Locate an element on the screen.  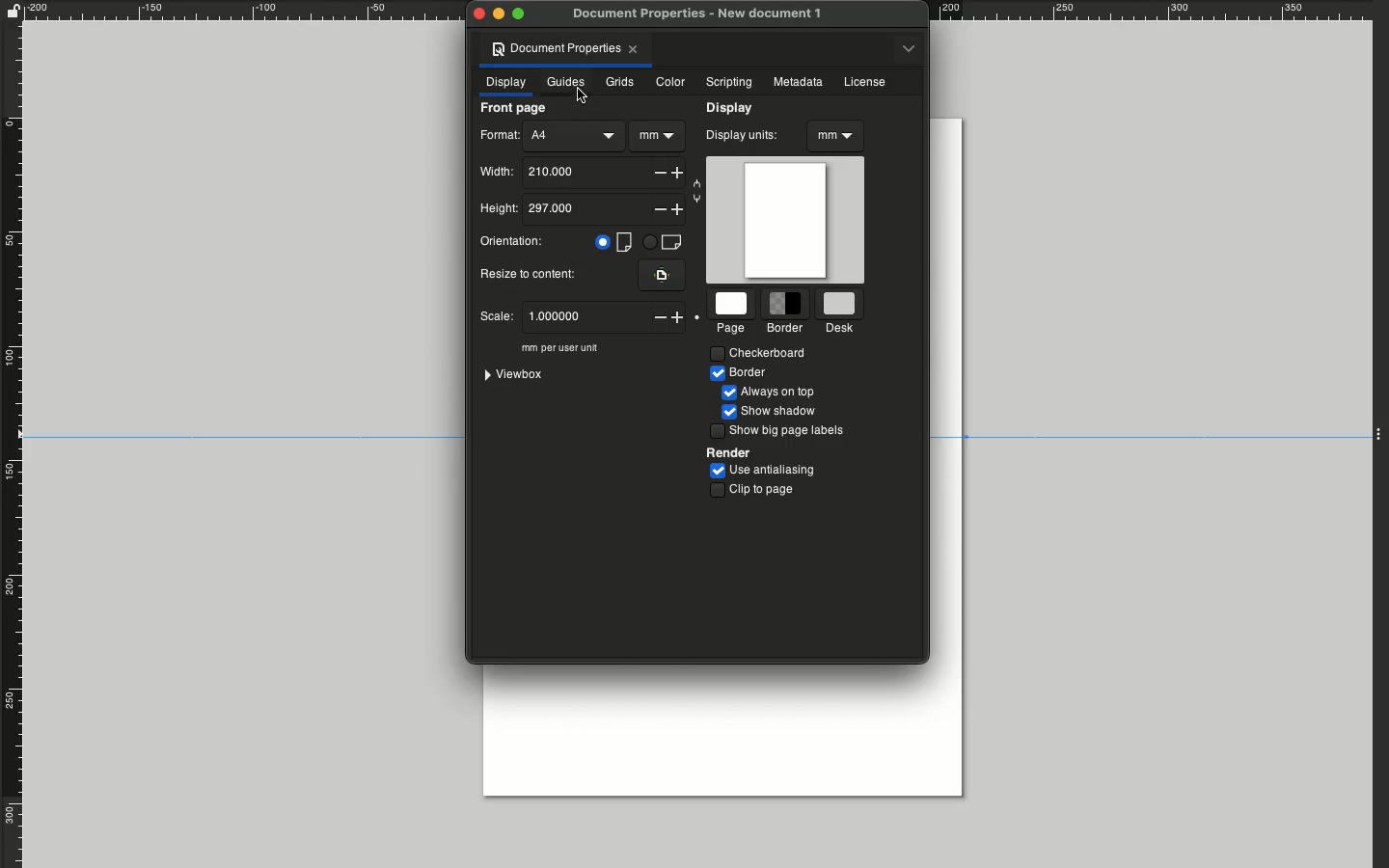
Show big page labels is located at coordinates (779, 429).